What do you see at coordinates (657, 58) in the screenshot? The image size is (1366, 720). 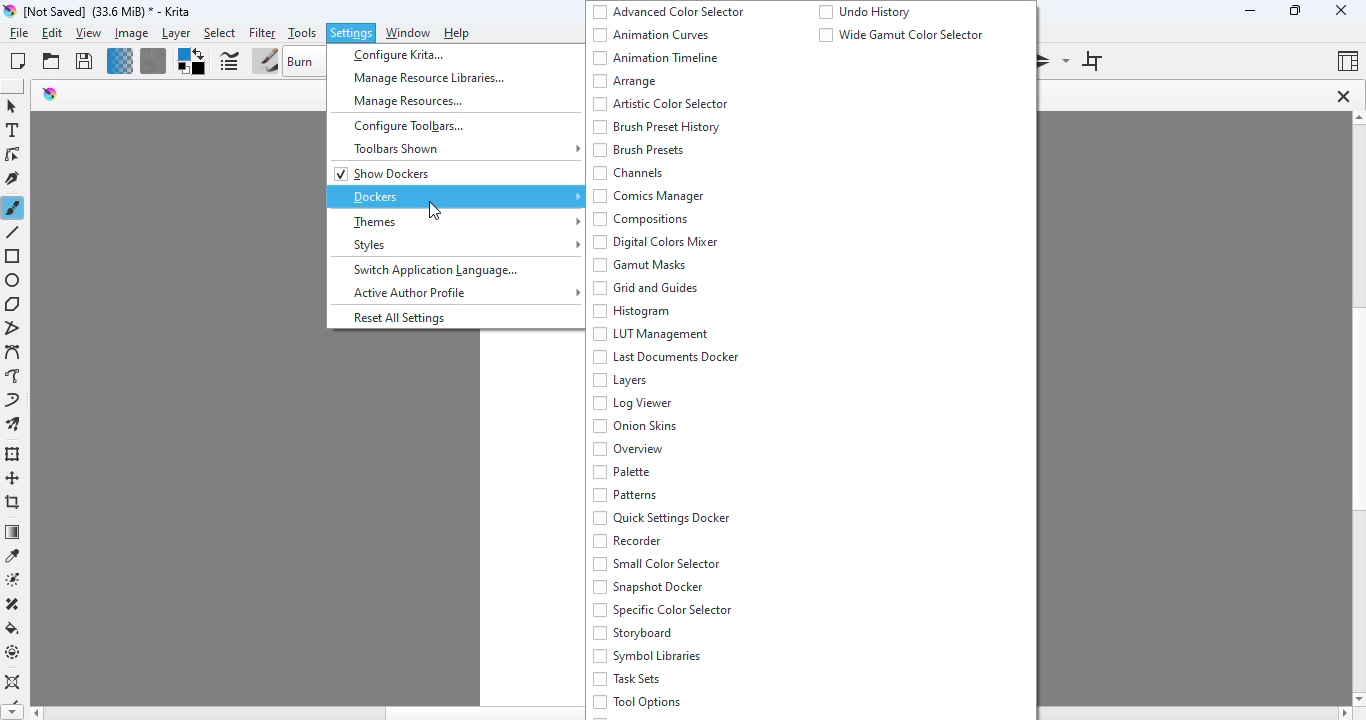 I see `animation timeline` at bounding box center [657, 58].